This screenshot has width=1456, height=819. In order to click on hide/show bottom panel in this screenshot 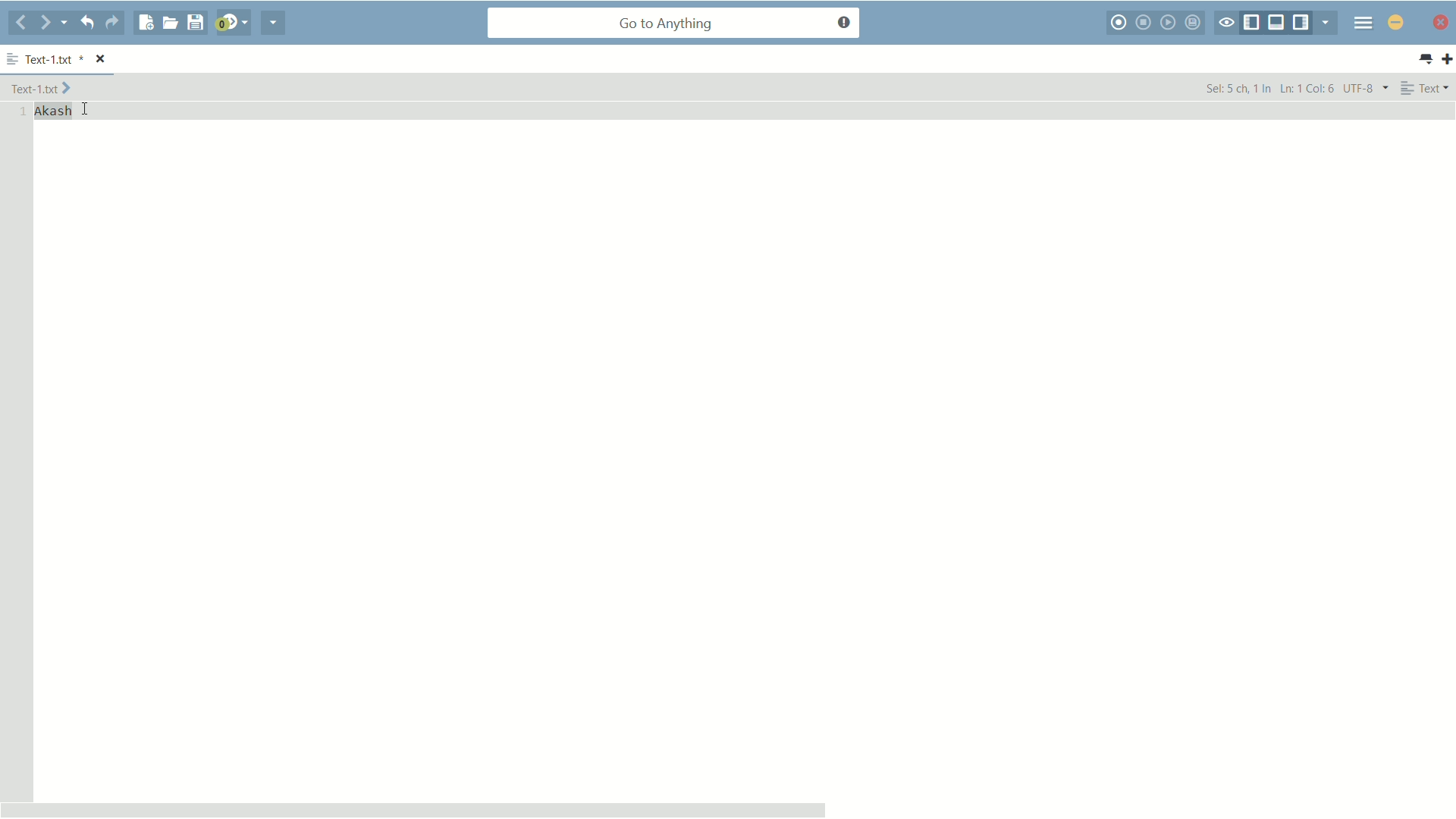, I will do `click(1277, 23)`.